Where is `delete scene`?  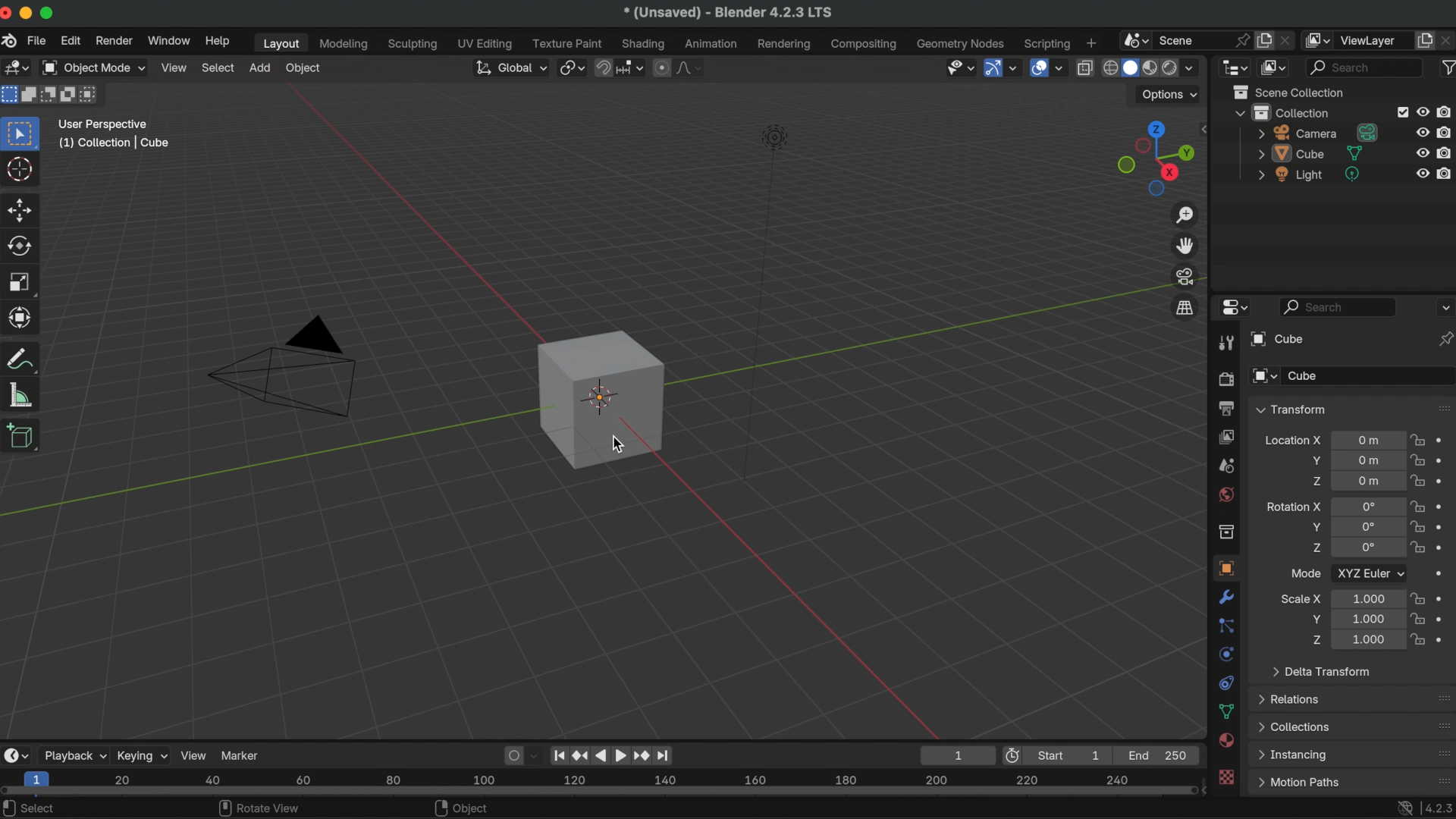
delete scene is located at coordinates (1288, 38).